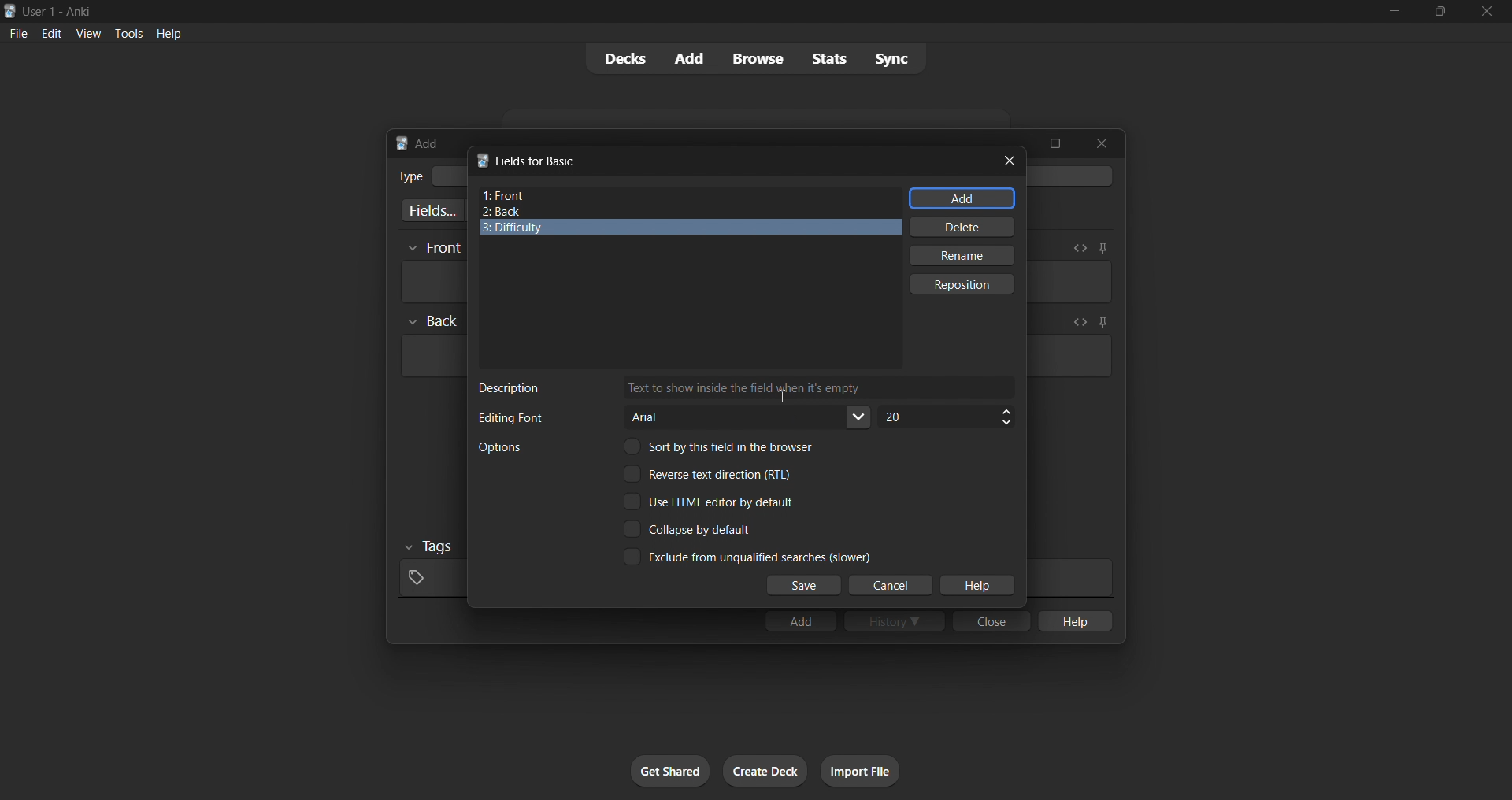  Describe the element at coordinates (1102, 248) in the screenshot. I see `Toggle sticky` at that location.